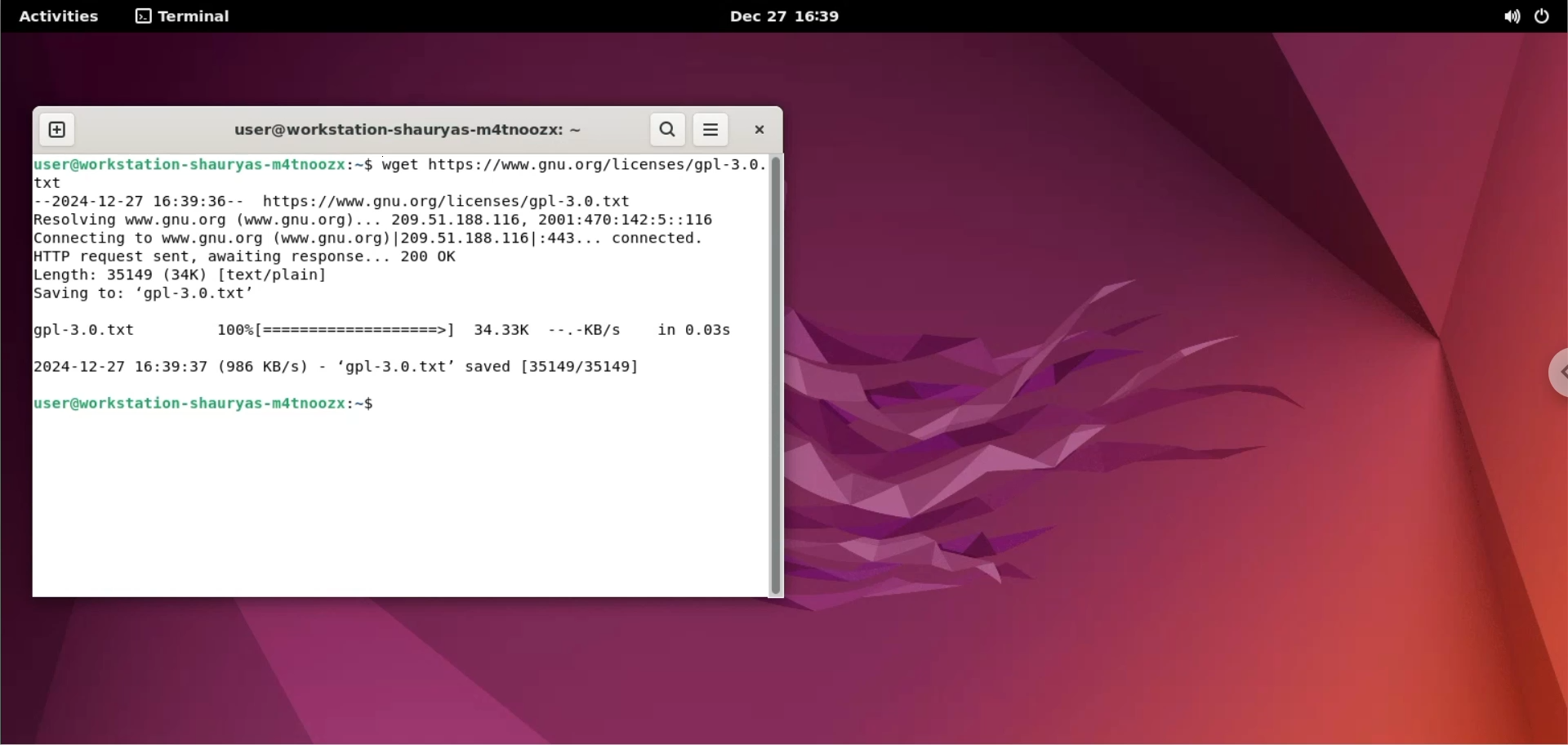 The height and width of the screenshot is (745, 1568). What do you see at coordinates (392, 279) in the screenshot?
I see `txt

--2024-12-27 16:39:36-- https://www.gnu.org/licenses/gpl-3.0.txt

Resolving www.gnu.org (www.gnu.org)... 209.51.188.116, 2001:470:142:5::116
Connecting to www.gnu.org (www.gnu.org)|209.51.188.116|:443... connected.
HTTP request sent, awaiting response... 200 OK

Length: 35149 (34K) [text/plain]

Saving to: ‘gpl-3.0.txt’

jpl-3.0. txt 100% [===================>] 34.33K --.-KB/s in 0.03s
2024-12-27 16:39:37 (986 KB/s) - ‘gpl-3.0.txt’ saved [35149/35149]` at bounding box center [392, 279].